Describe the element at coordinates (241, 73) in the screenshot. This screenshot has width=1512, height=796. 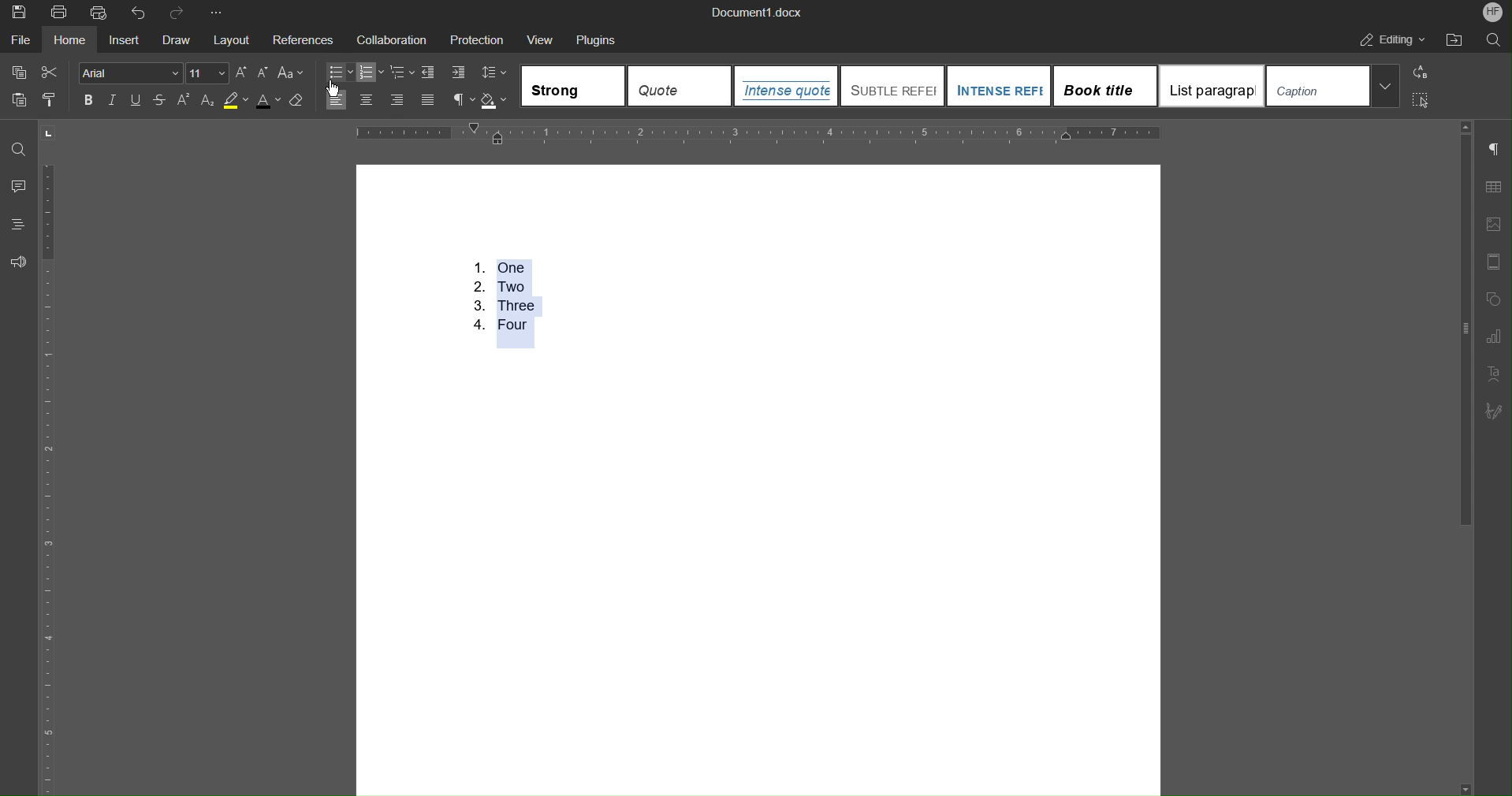
I see `Increase Size` at that location.